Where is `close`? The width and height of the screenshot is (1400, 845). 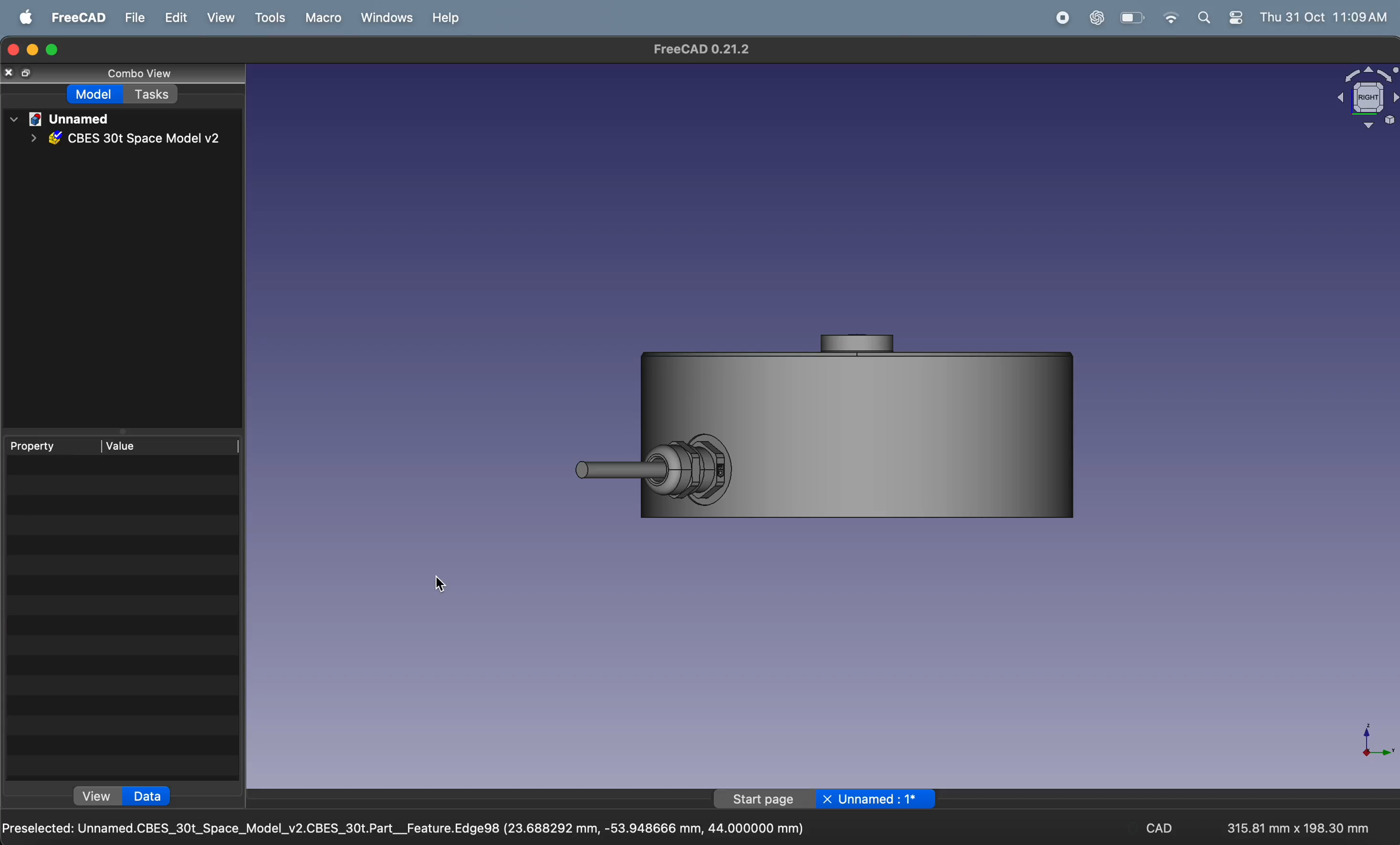
close is located at coordinates (13, 49).